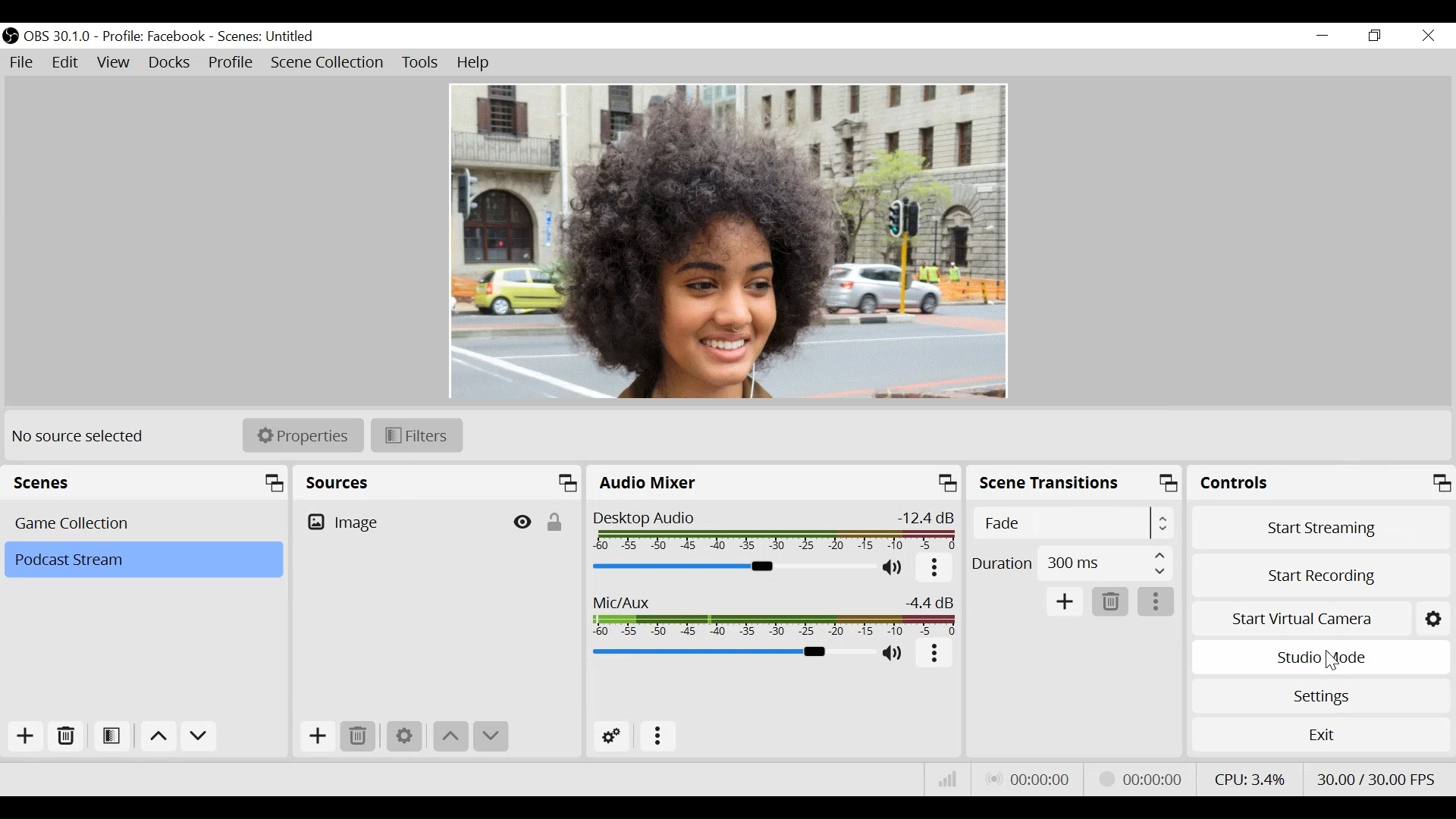 The height and width of the screenshot is (819, 1456). Describe the element at coordinates (452, 736) in the screenshot. I see `move up` at that location.